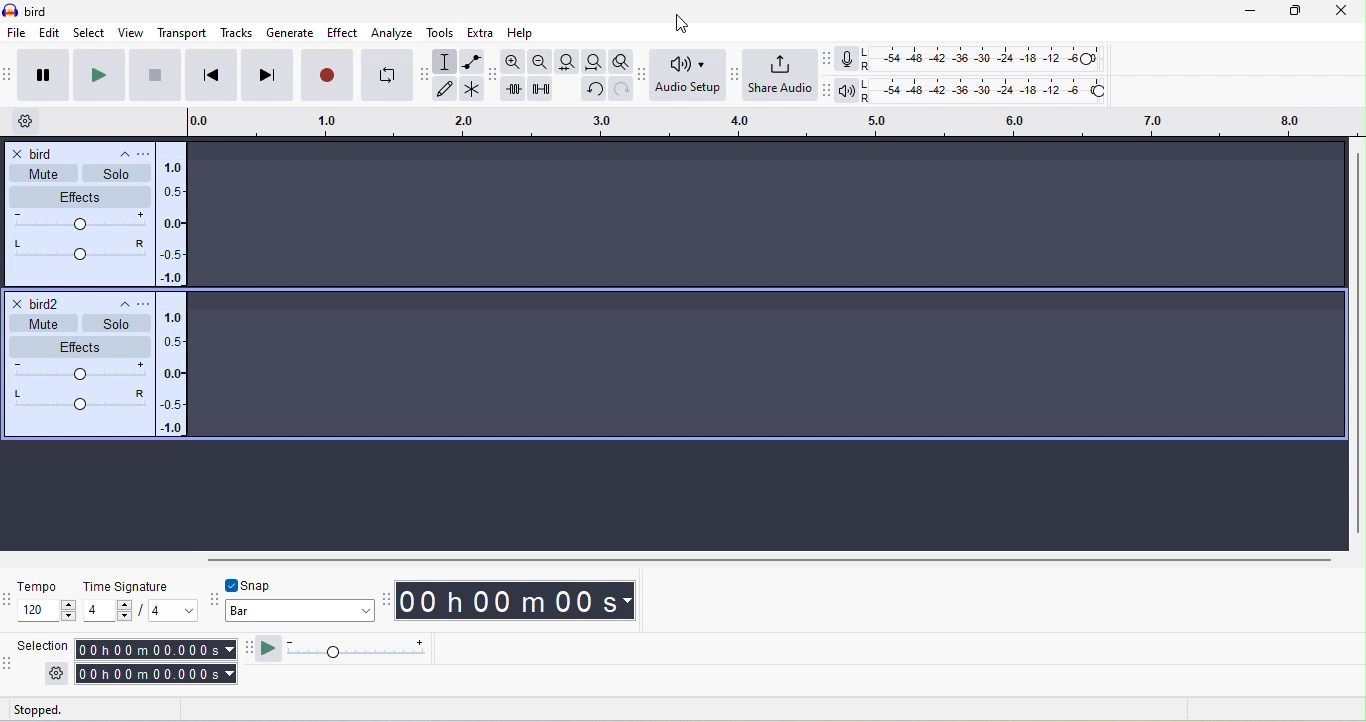  What do you see at coordinates (82, 370) in the screenshot?
I see `volume` at bounding box center [82, 370].